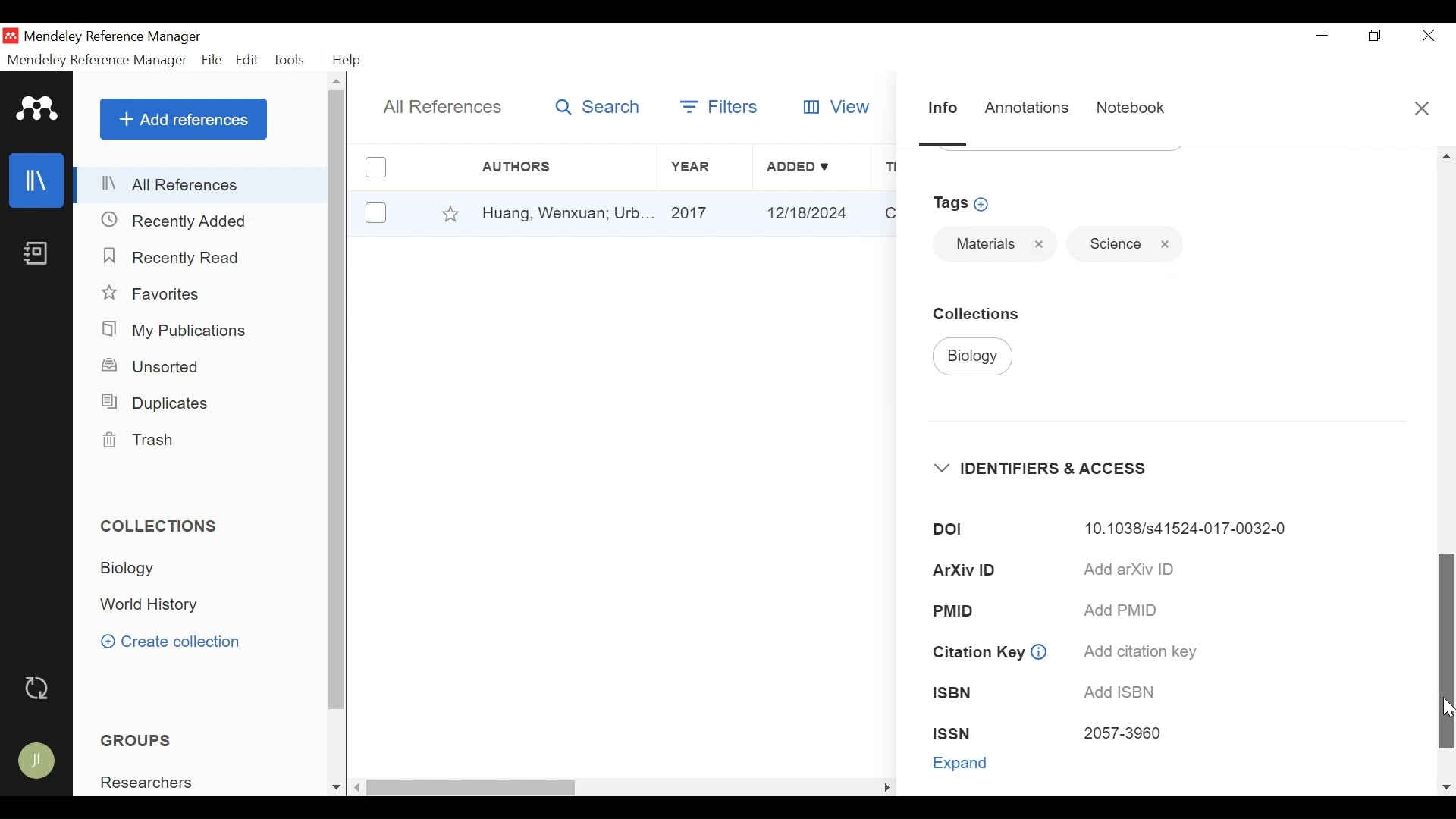 This screenshot has width=1456, height=819. Describe the element at coordinates (39, 255) in the screenshot. I see `Notebook` at that location.